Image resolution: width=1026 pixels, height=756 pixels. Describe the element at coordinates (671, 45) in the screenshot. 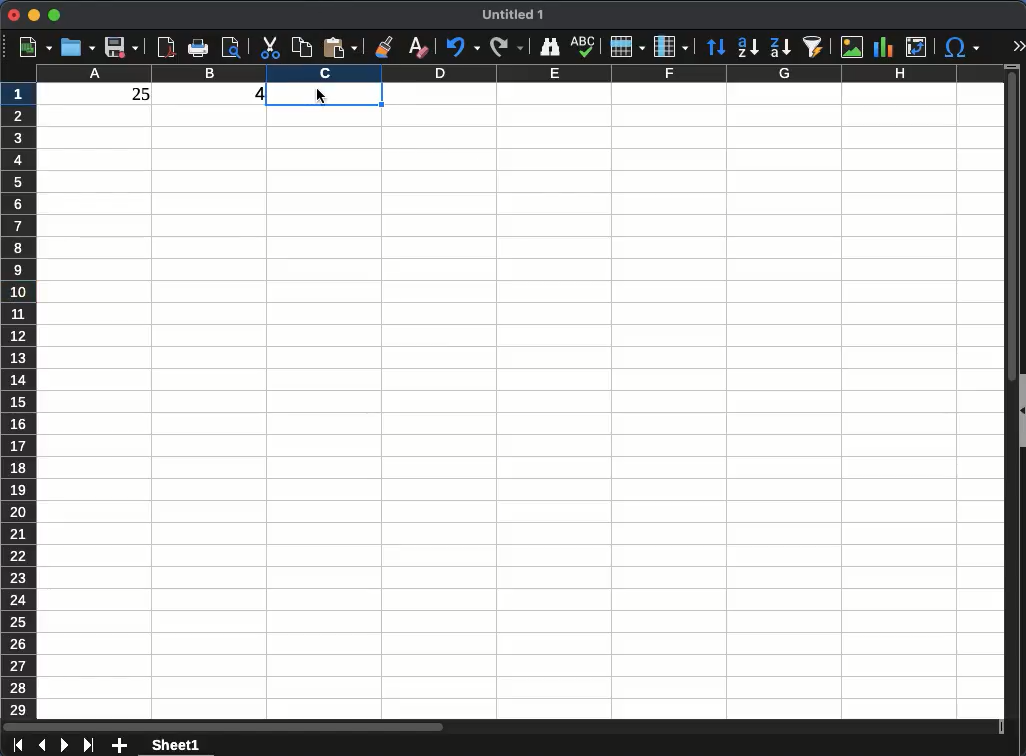

I see `column` at that location.